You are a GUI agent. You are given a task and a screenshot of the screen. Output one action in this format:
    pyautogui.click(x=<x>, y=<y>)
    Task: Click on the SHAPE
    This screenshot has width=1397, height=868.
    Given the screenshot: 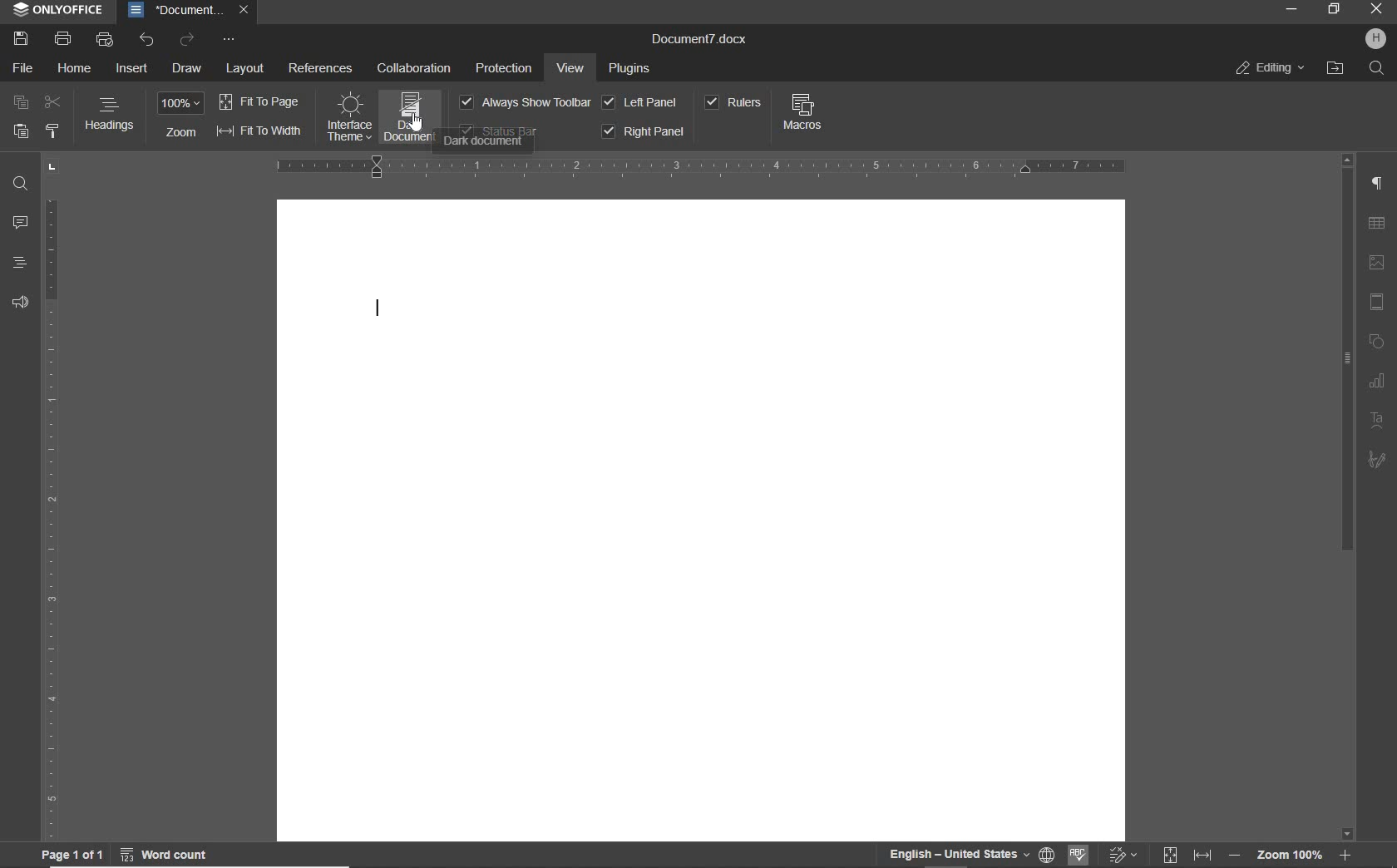 What is the action you would take?
    pyautogui.click(x=1377, y=343)
    